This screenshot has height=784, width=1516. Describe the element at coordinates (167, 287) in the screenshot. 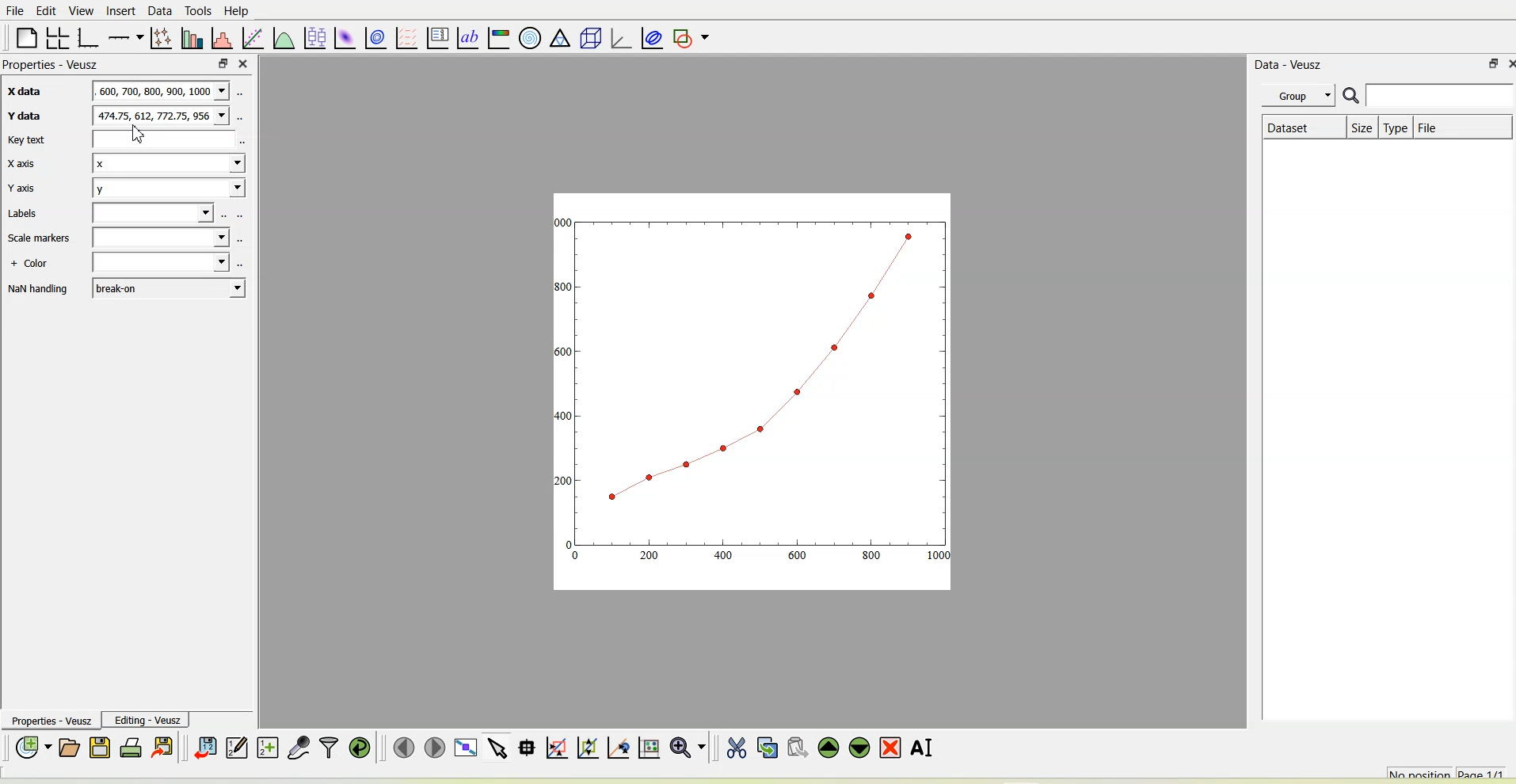

I see `break-on ` at that location.